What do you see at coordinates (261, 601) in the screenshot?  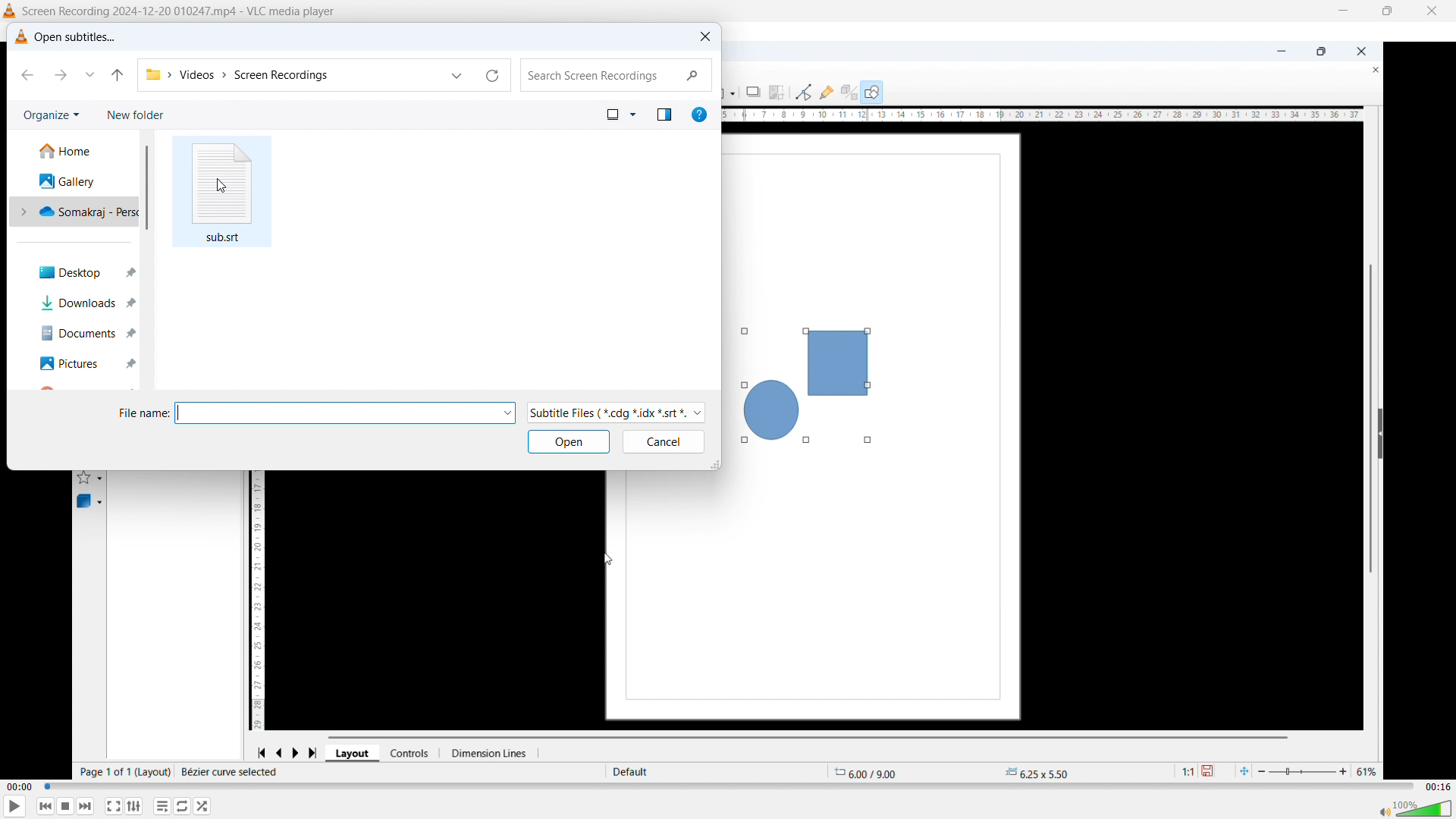 I see `ruler` at bounding box center [261, 601].